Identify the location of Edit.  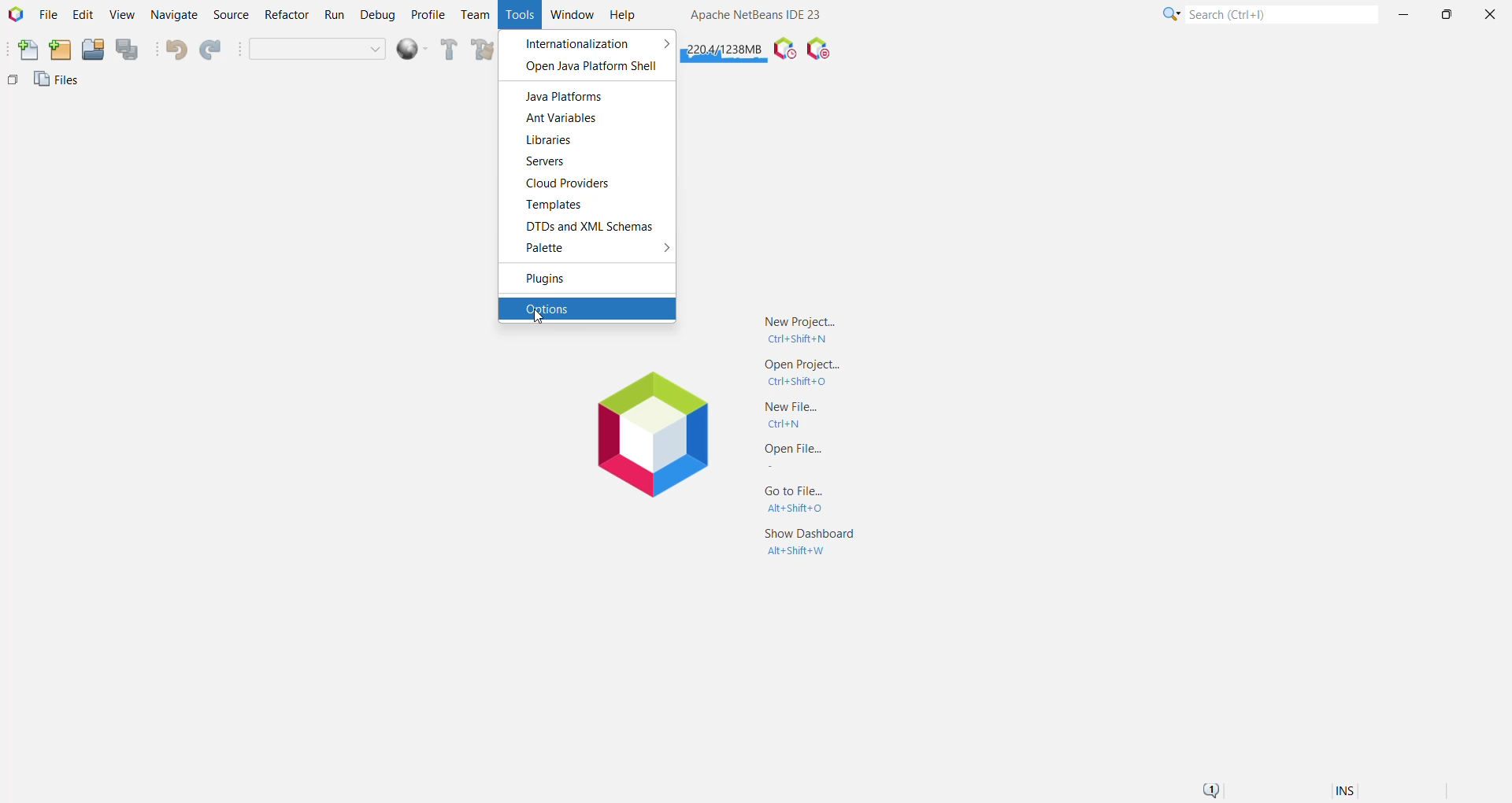
(83, 16).